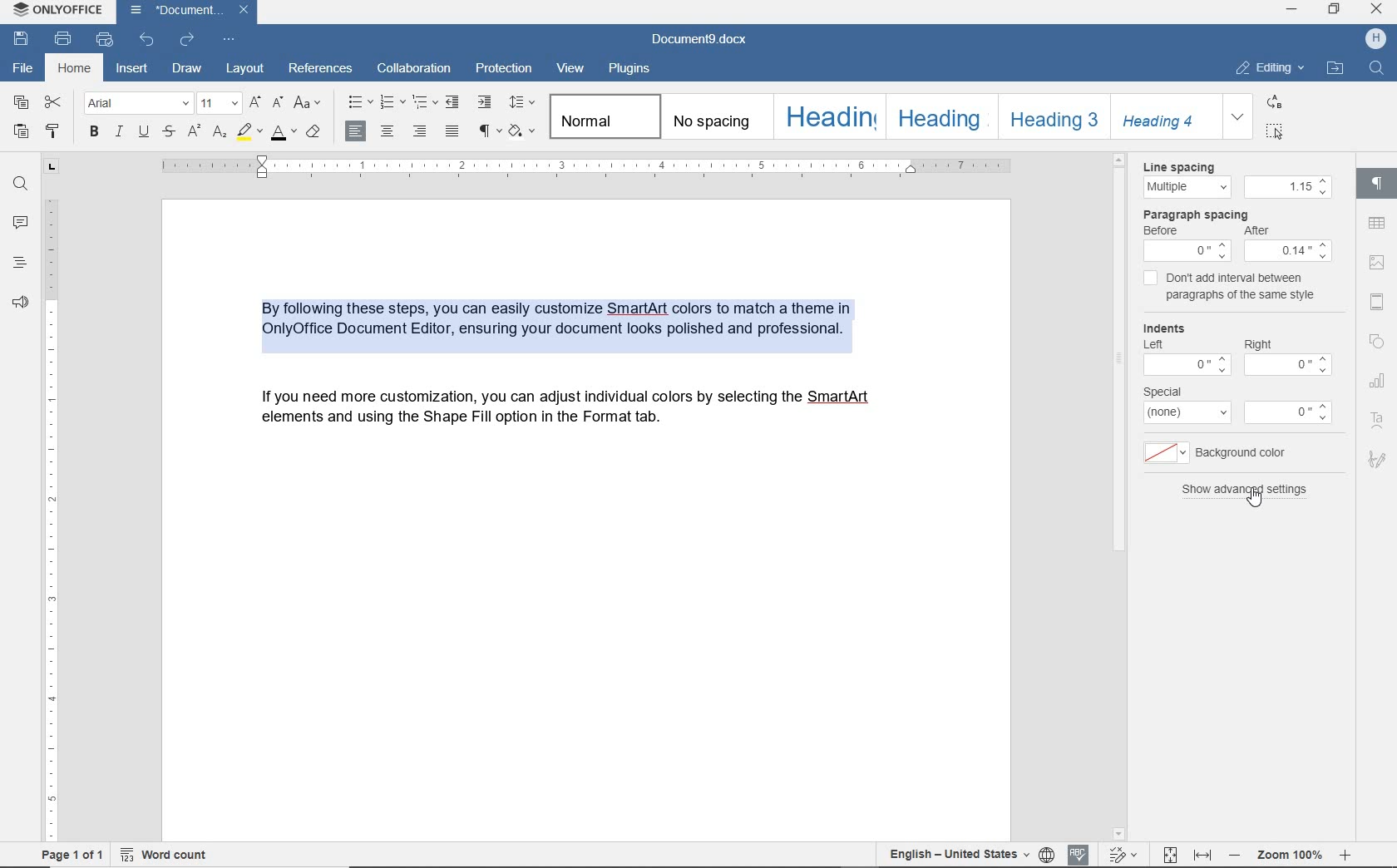 The image size is (1397, 868). Describe the element at coordinates (1283, 412) in the screenshot. I see `0"` at that location.